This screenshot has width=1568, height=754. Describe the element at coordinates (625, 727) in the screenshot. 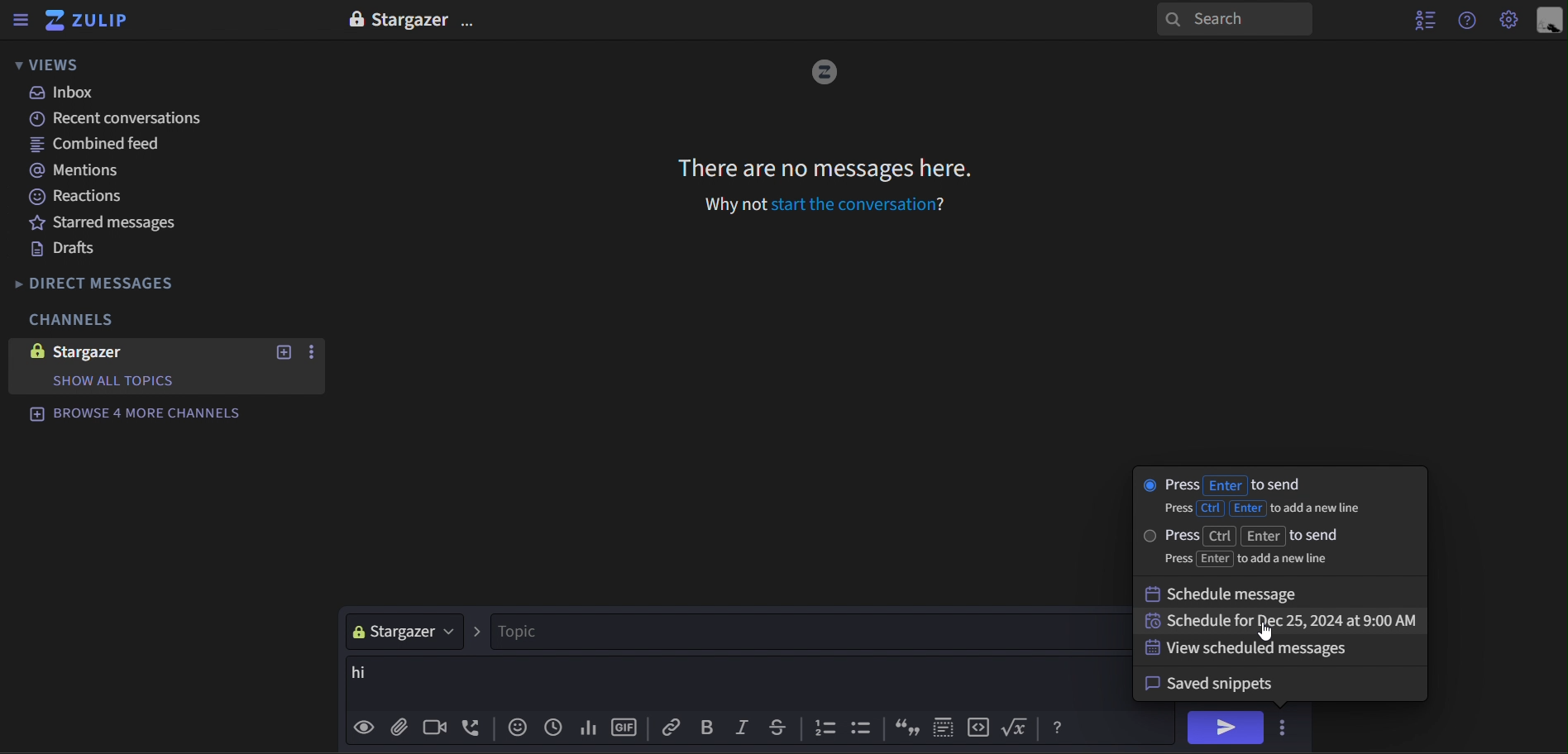

I see `gif` at that location.